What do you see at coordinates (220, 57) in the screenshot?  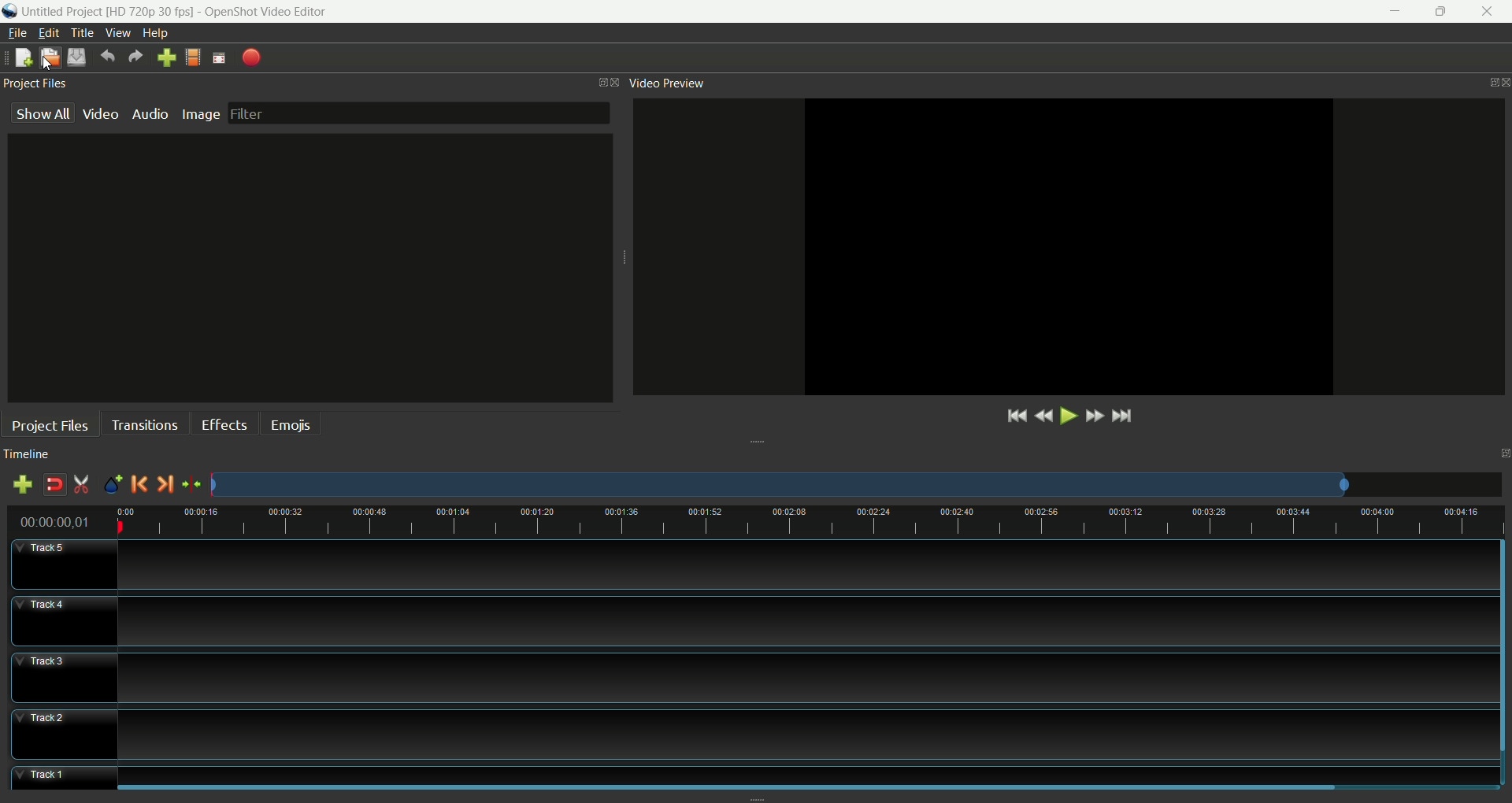 I see `fullscreen` at bounding box center [220, 57].